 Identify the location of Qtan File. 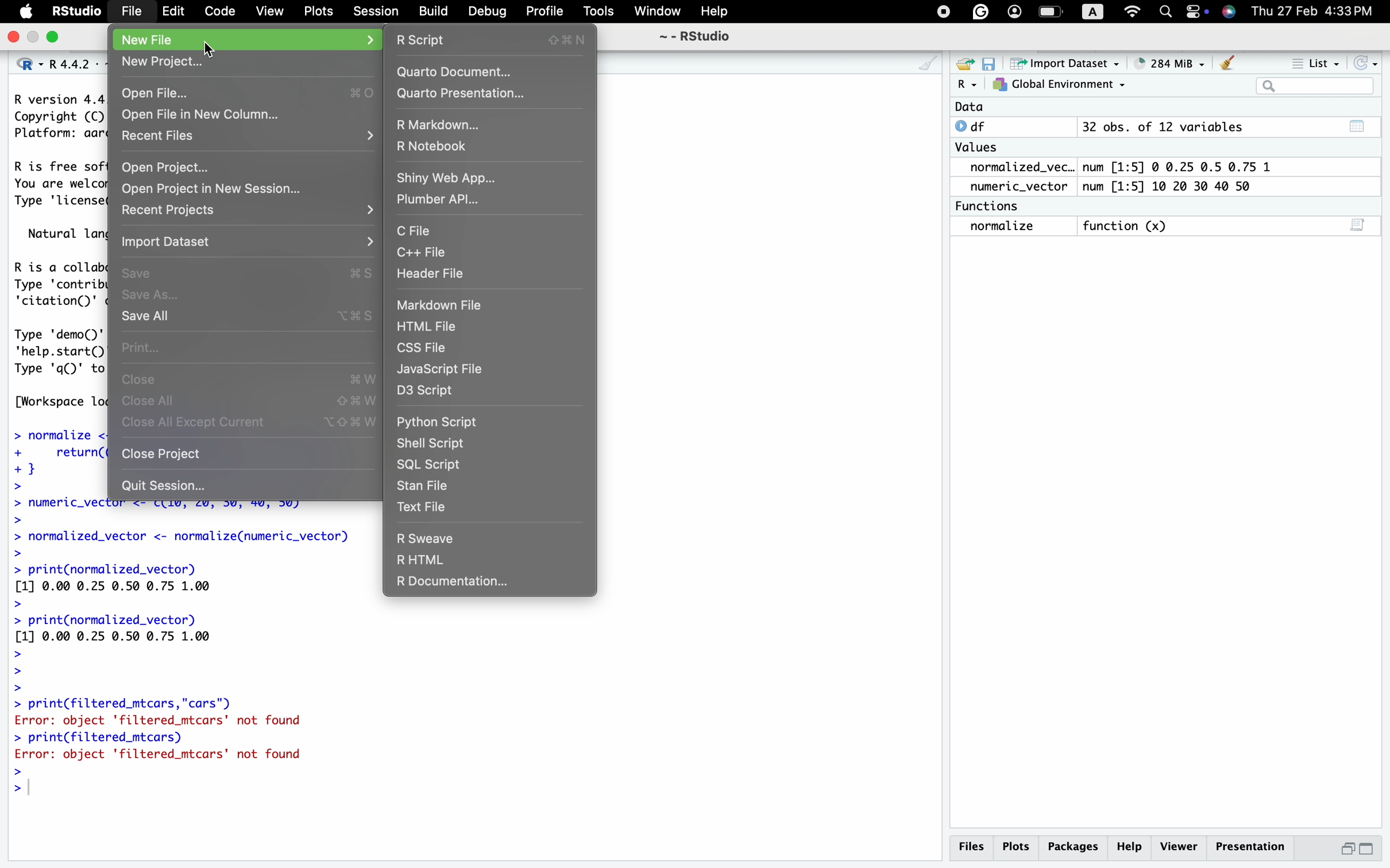
(431, 486).